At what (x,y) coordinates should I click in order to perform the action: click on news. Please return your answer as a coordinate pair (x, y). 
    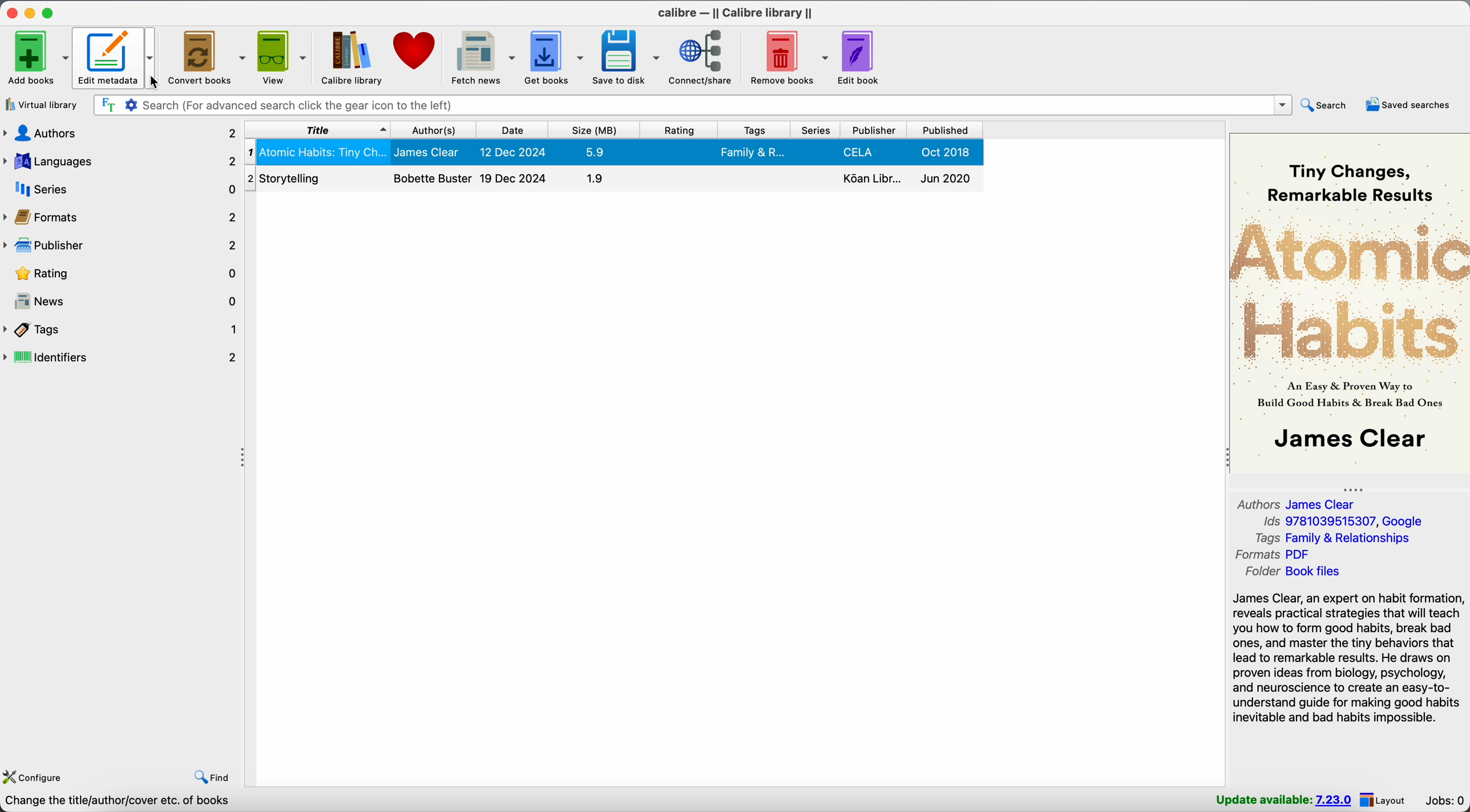
    Looking at the image, I should click on (127, 302).